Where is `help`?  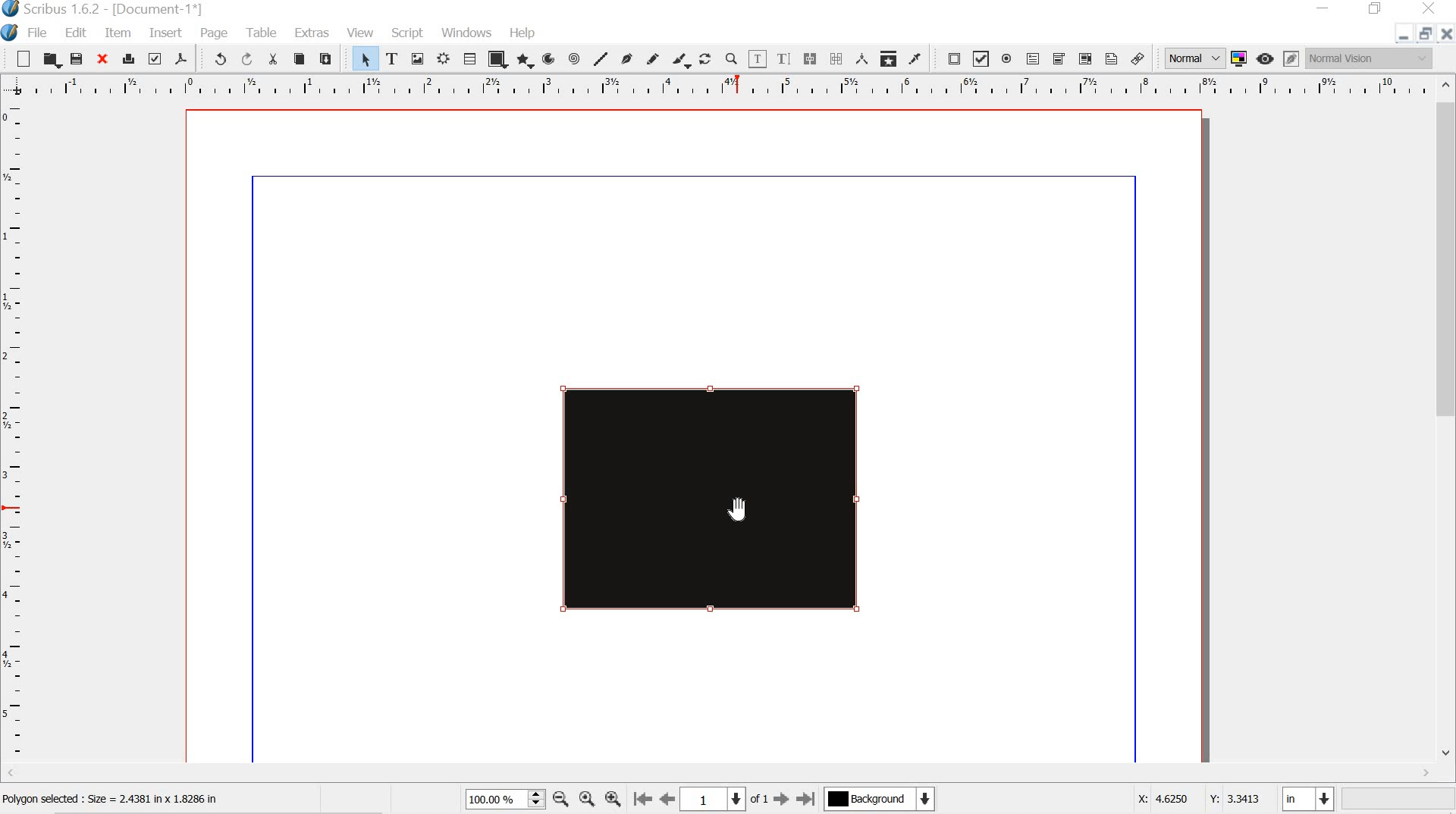 help is located at coordinates (522, 35).